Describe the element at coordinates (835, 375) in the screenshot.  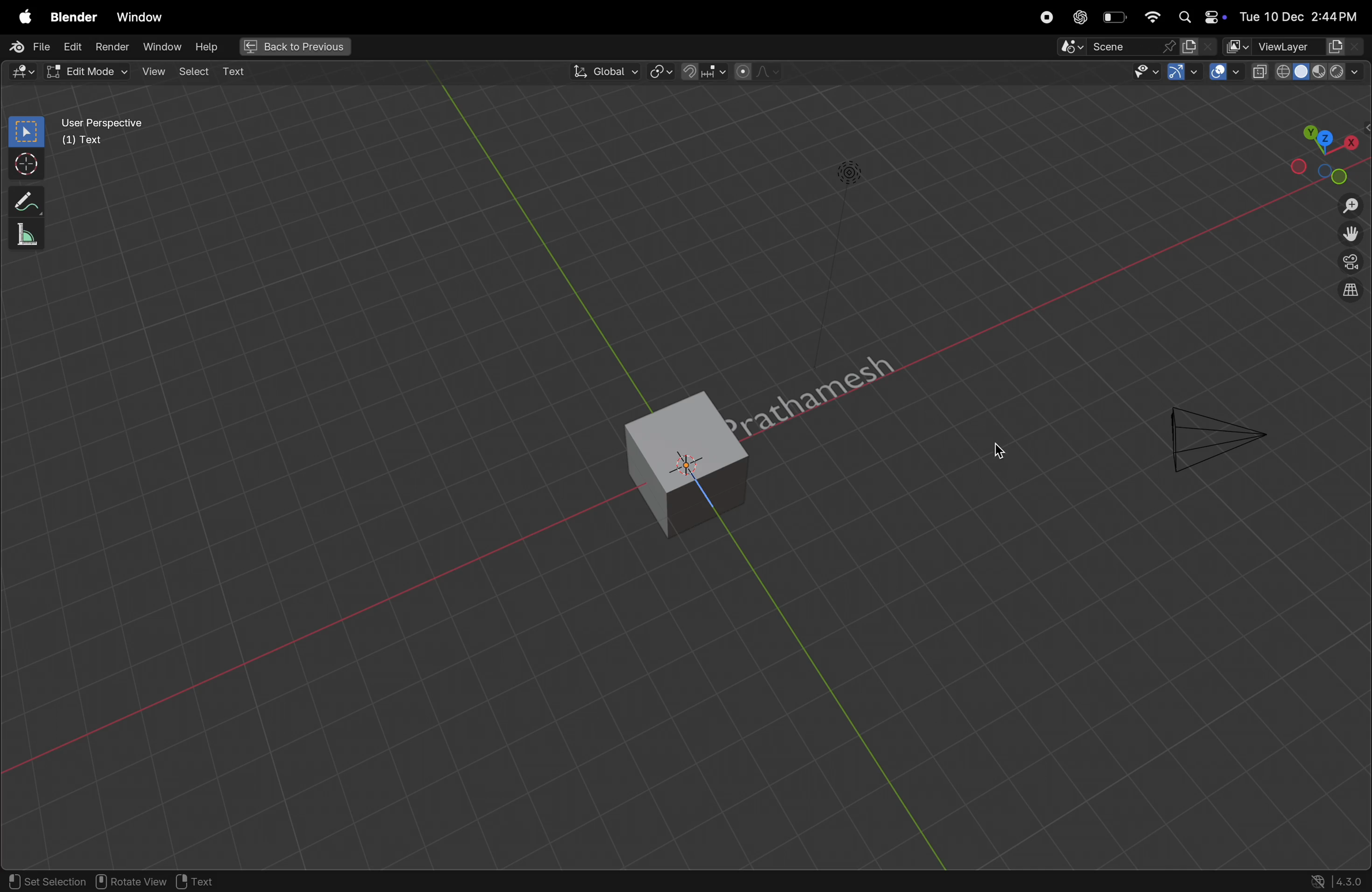
I see `name` at that location.